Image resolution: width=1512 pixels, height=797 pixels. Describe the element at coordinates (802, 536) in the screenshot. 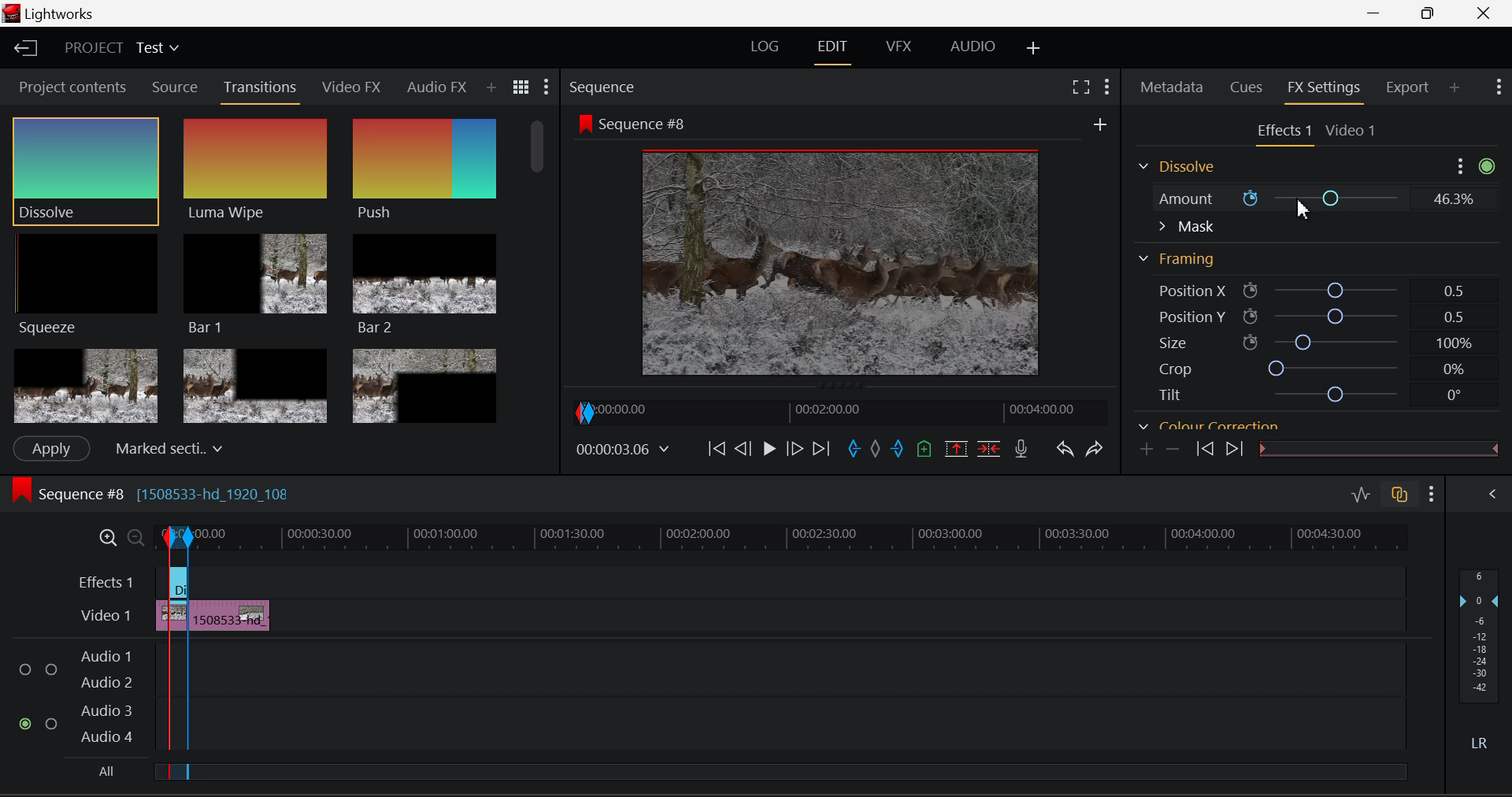

I see `Project Timeline` at that location.